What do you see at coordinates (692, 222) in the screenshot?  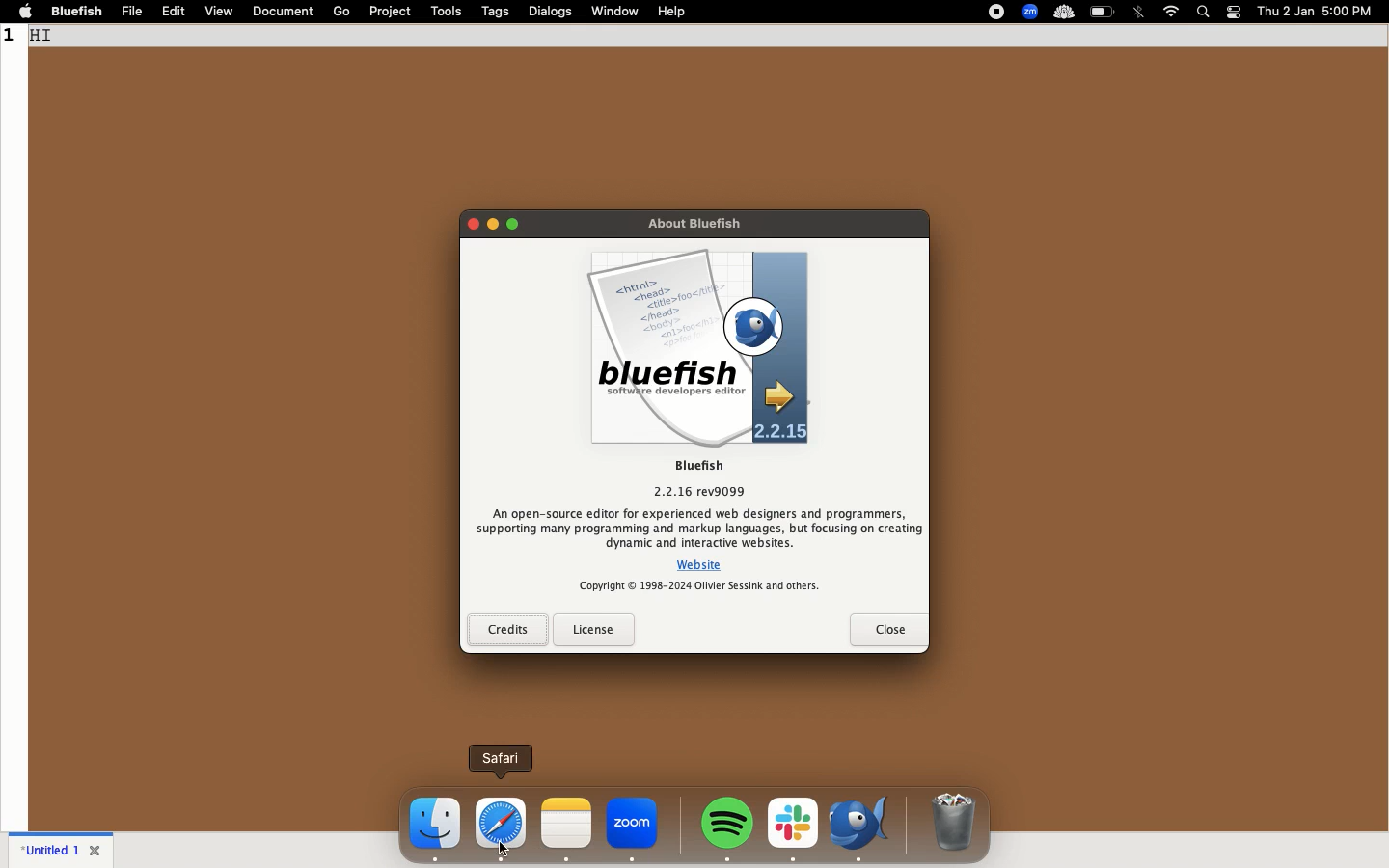 I see `about bluefish ` at bounding box center [692, 222].